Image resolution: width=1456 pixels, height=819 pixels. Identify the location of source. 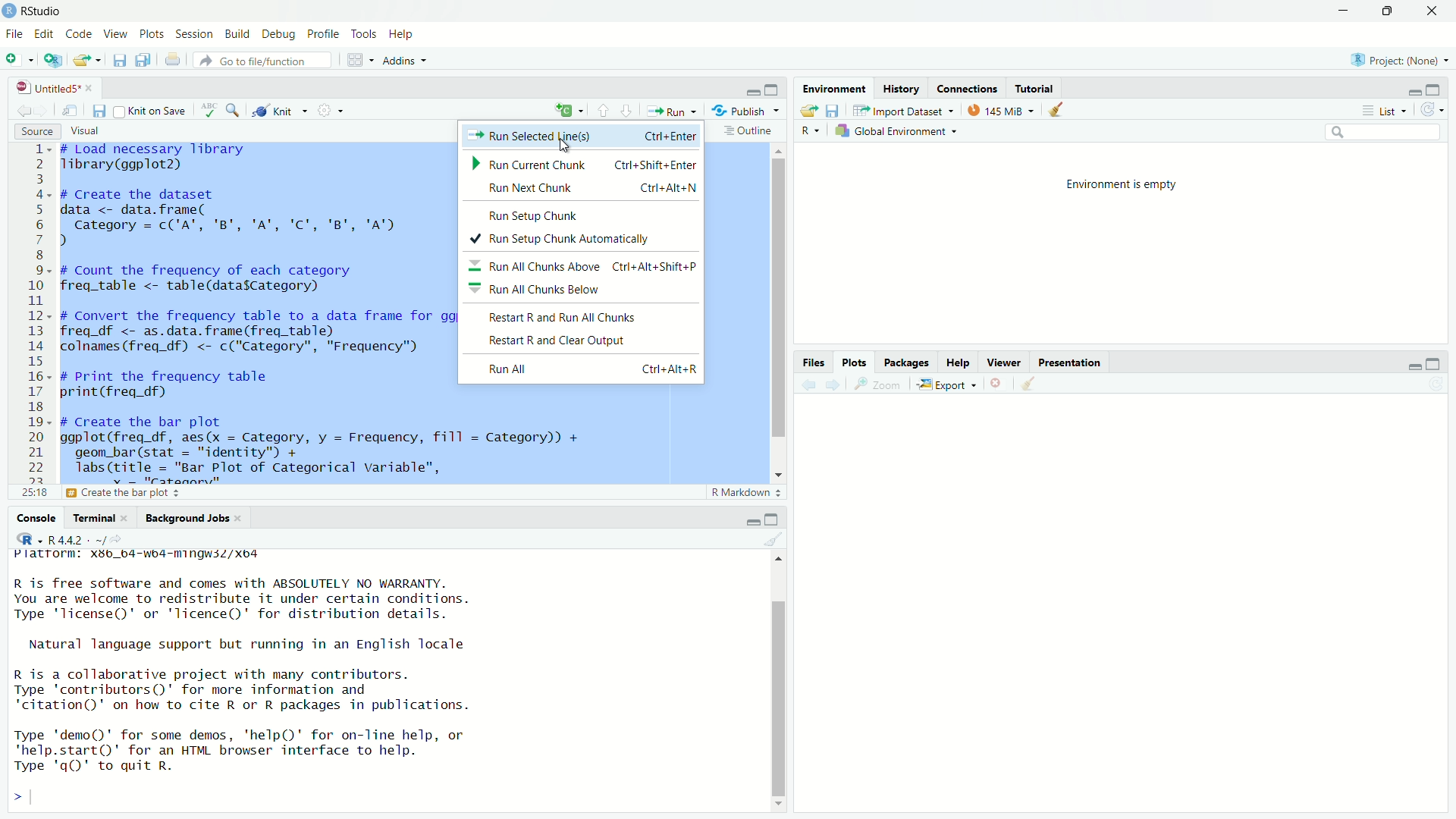
(38, 132).